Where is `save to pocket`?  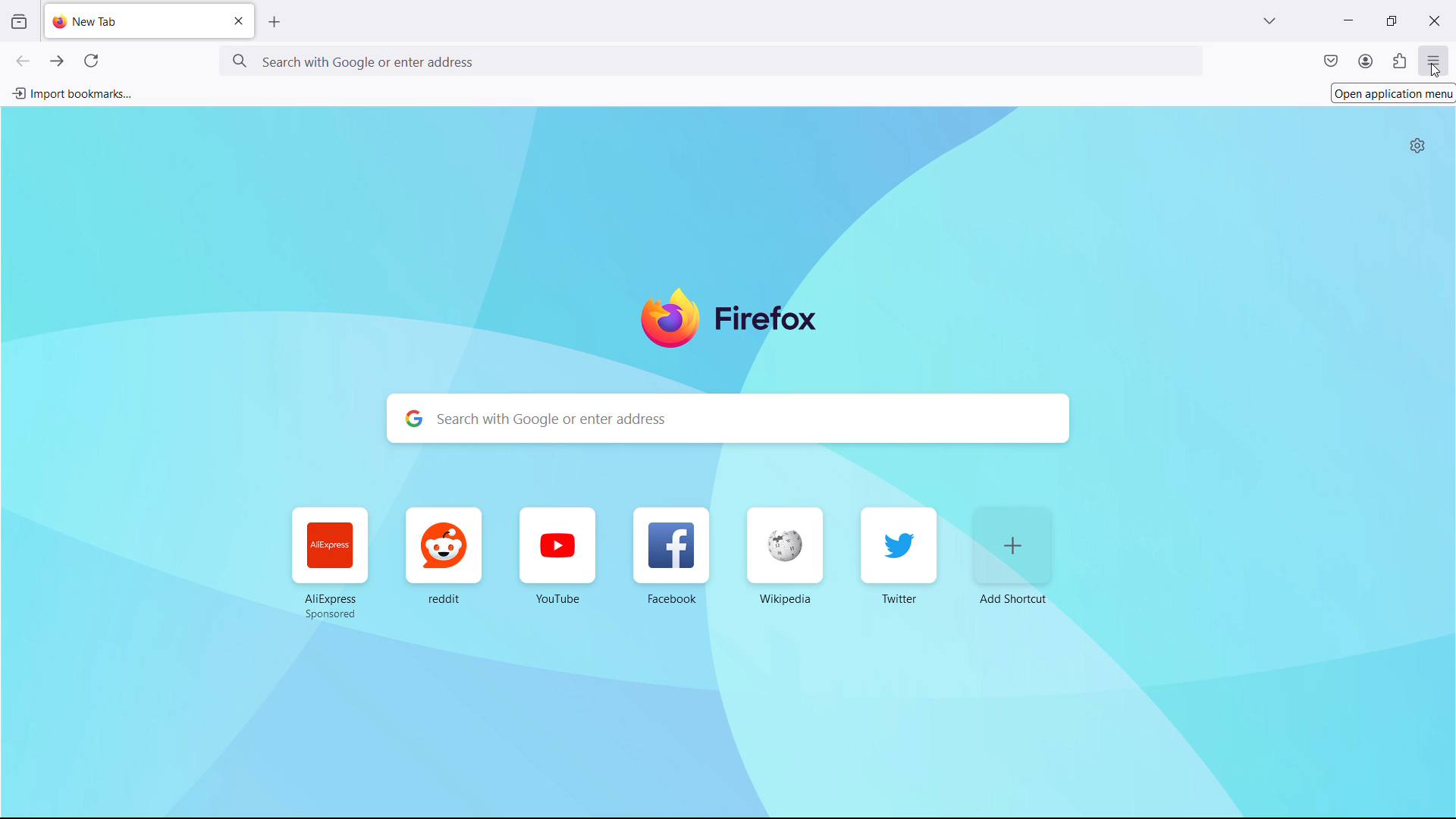 save to pocket is located at coordinates (1331, 60).